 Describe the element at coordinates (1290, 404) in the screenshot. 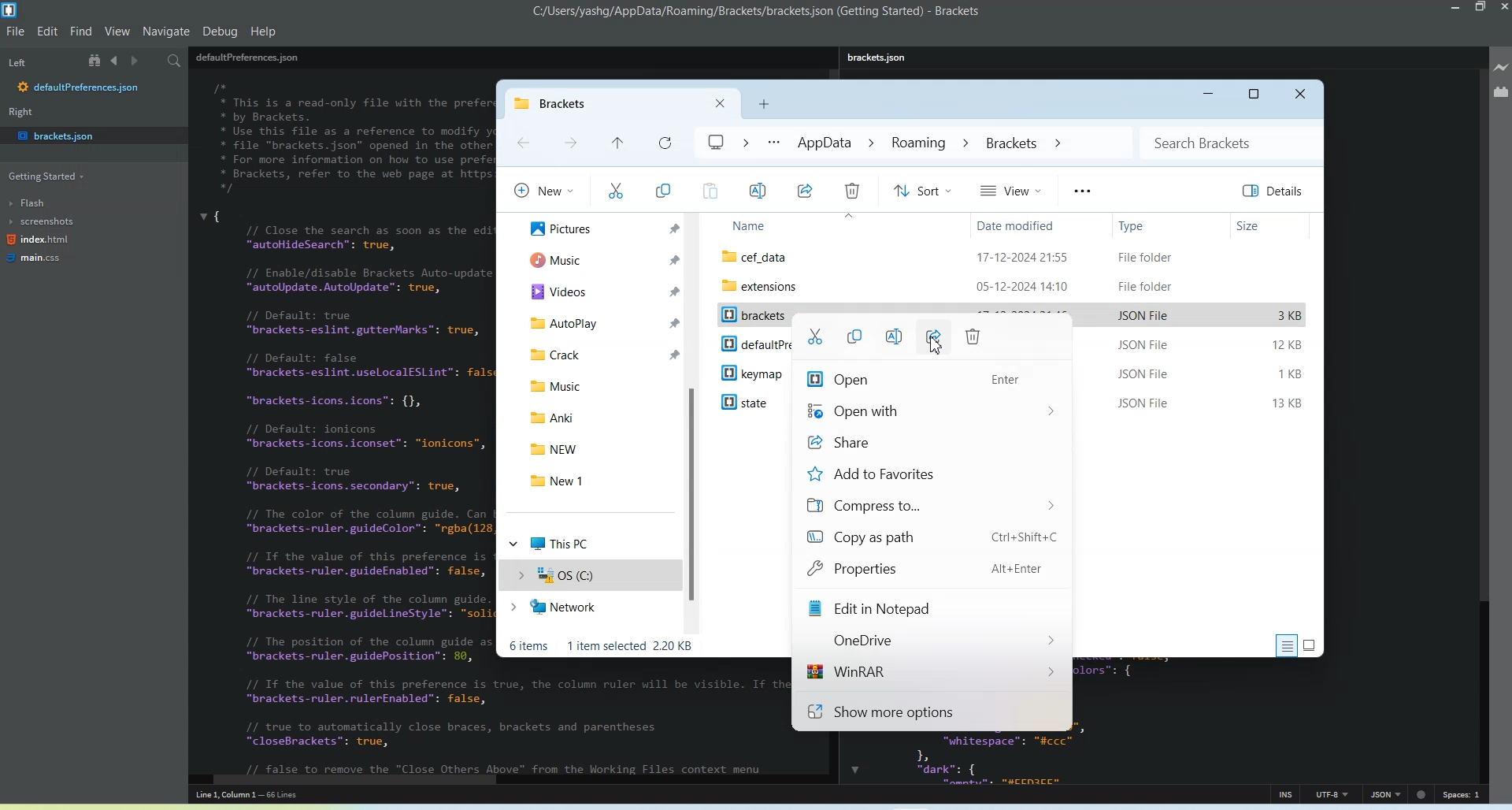

I see `13 KB` at that location.